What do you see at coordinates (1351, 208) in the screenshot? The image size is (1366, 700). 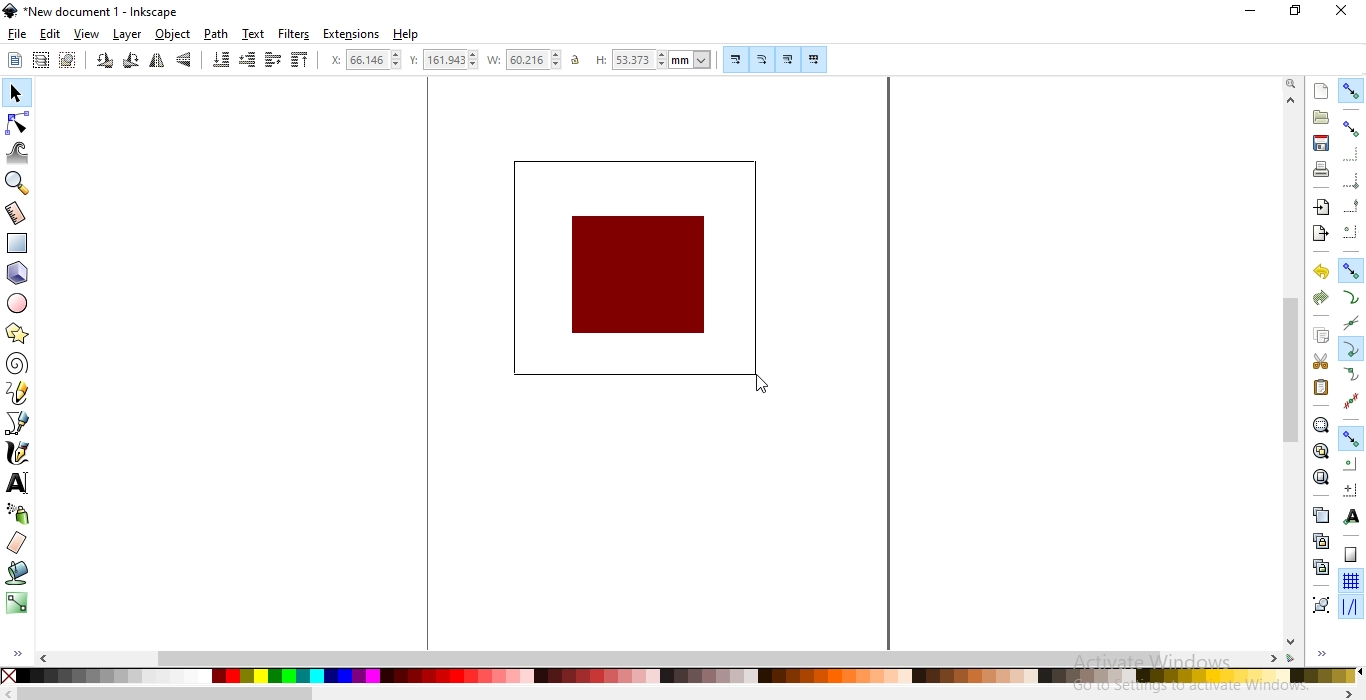 I see `snap midpoints of ` at bounding box center [1351, 208].